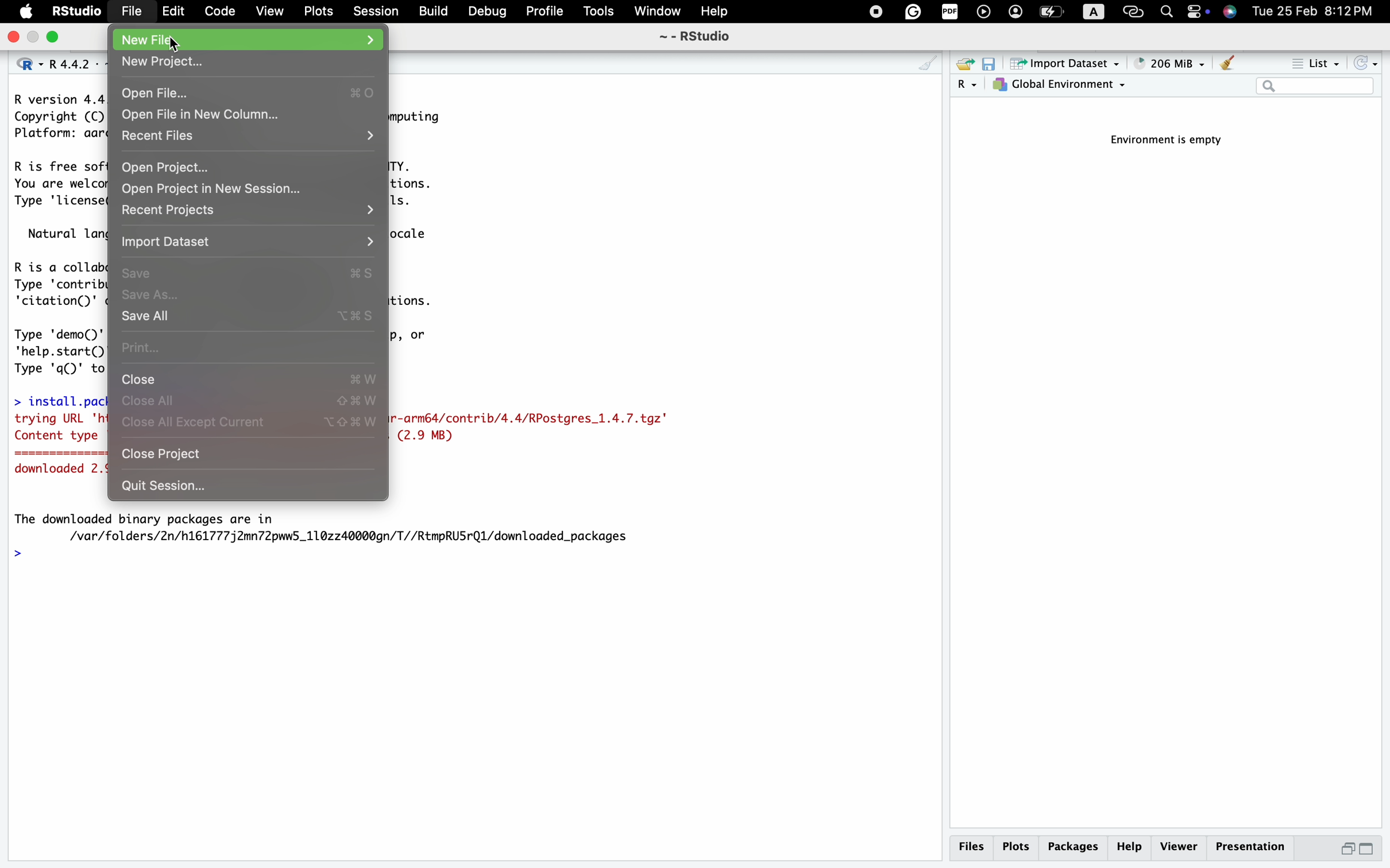 This screenshot has height=868, width=1390. I want to click on ===================================, so click(53, 455).